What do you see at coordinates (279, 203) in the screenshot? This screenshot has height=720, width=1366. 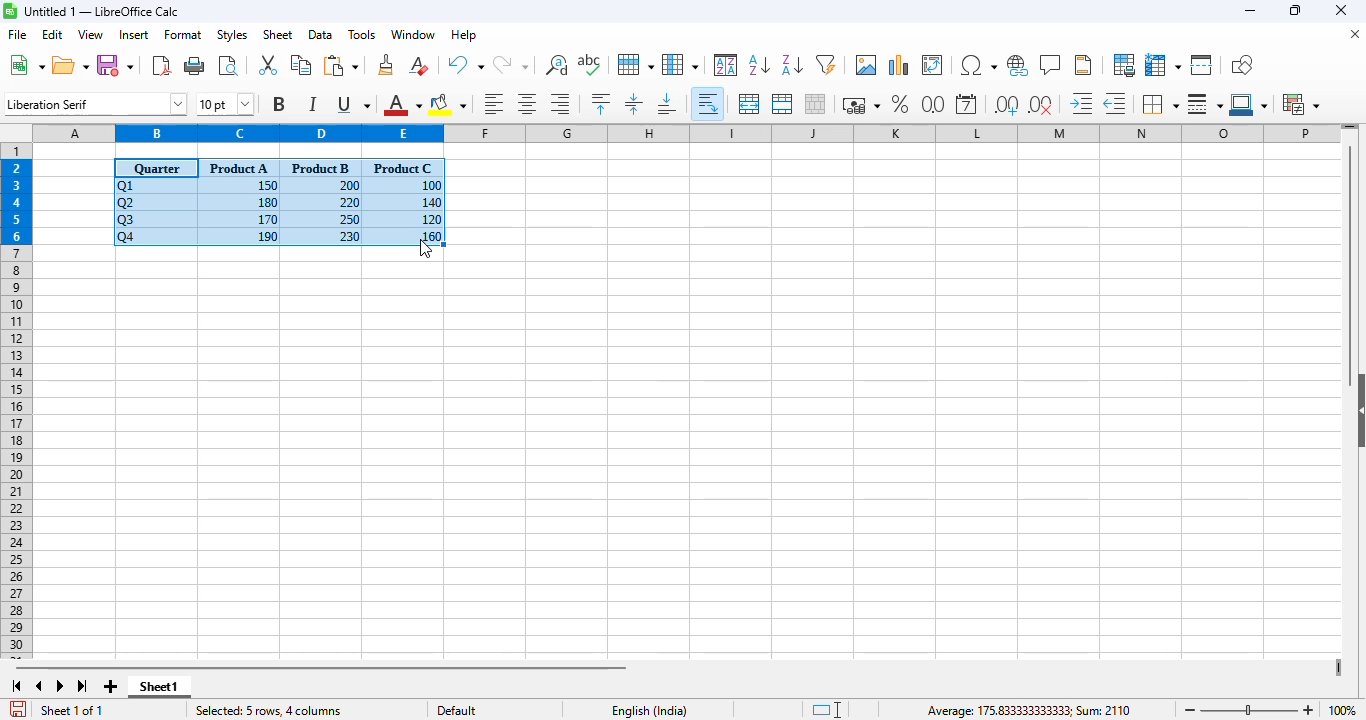 I see `selected data` at bounding box center [279, 203].